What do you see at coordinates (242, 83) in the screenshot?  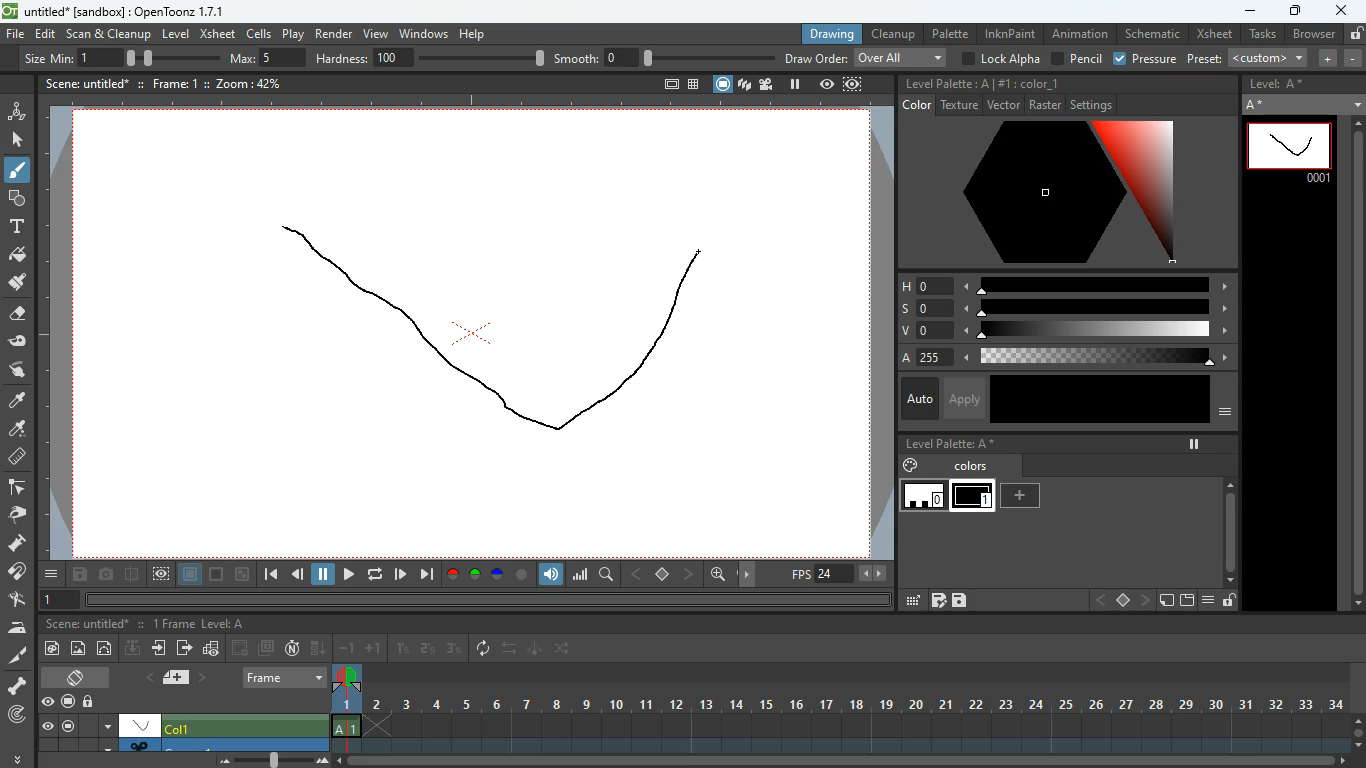 I see `zoom` at bounding box center [242, 83].